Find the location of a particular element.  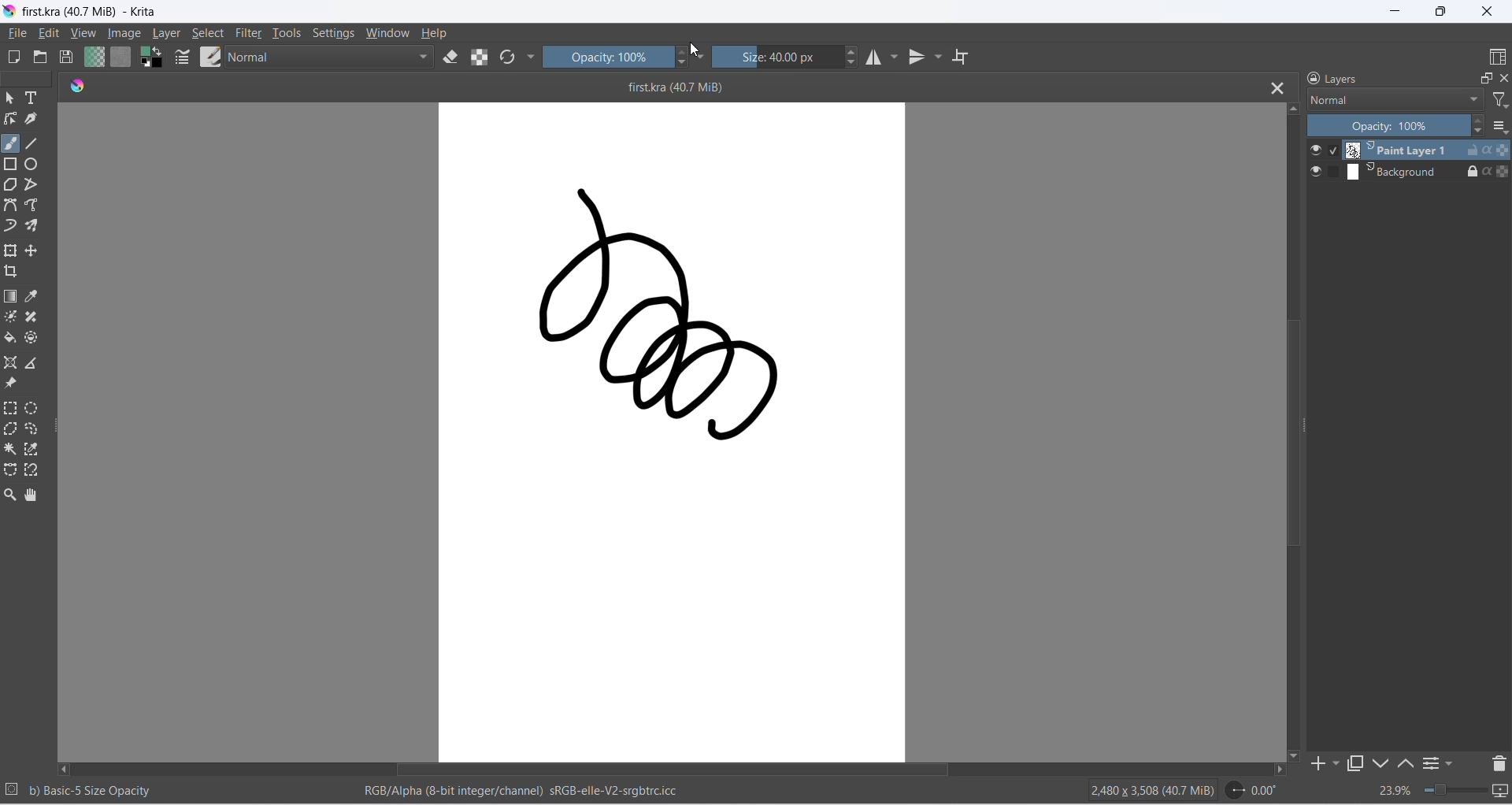

slideshow is located at coordinates (1501, 791).